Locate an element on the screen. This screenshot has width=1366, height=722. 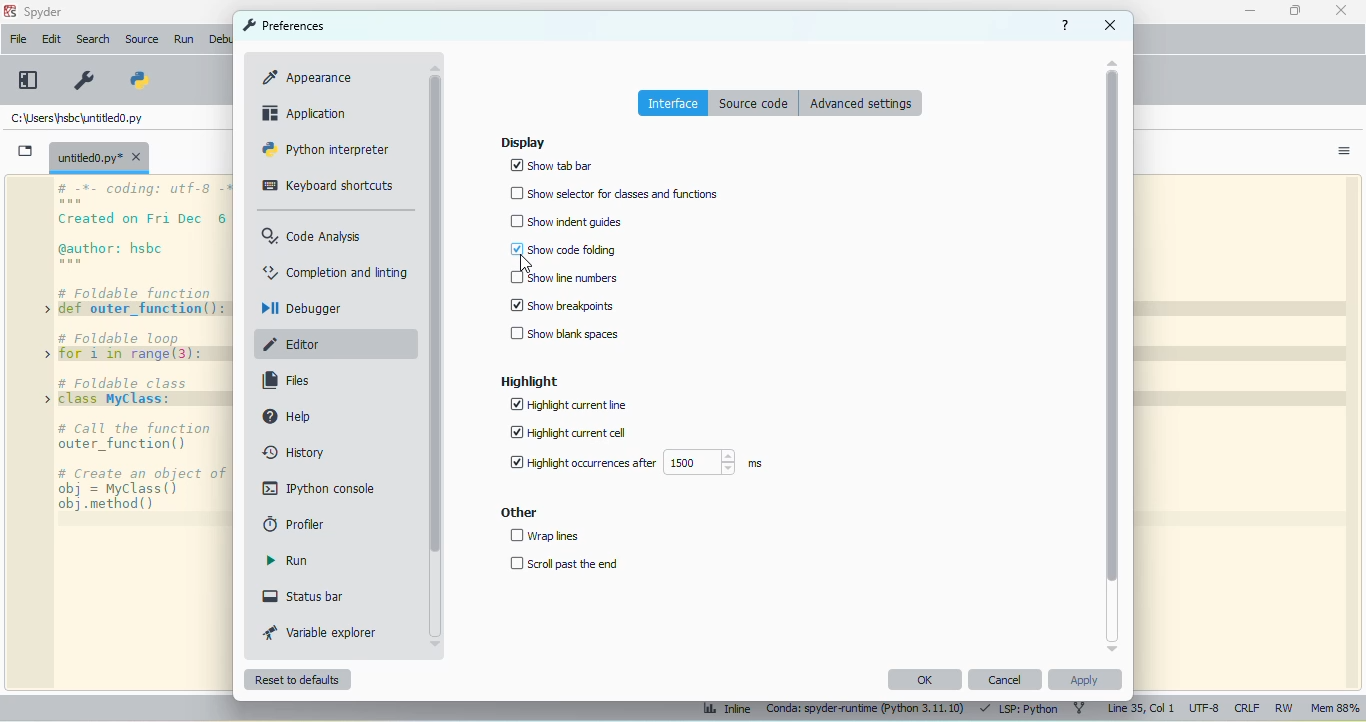
highlight current cell is located at coordinates (570, 433).